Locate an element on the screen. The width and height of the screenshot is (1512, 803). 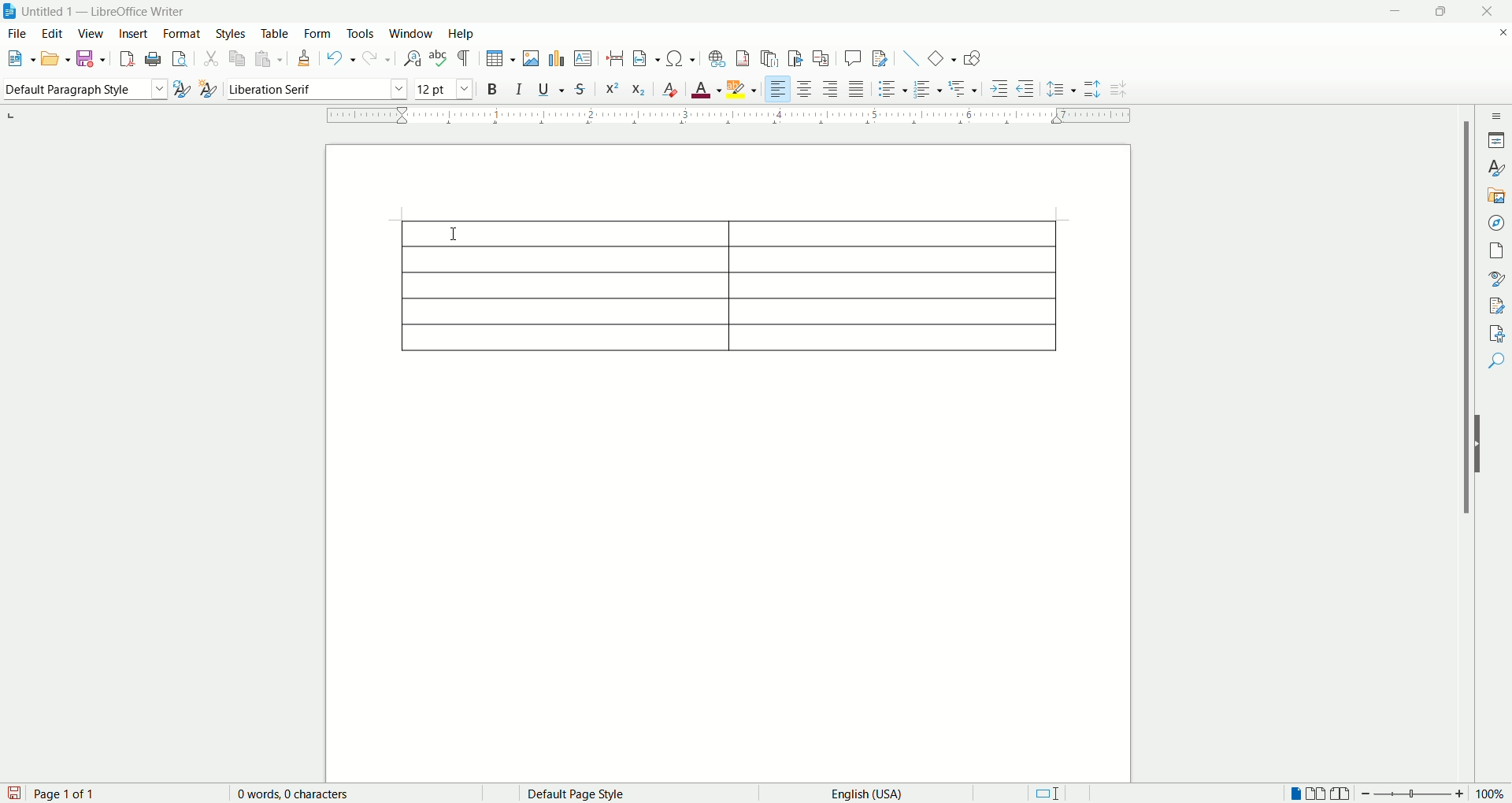
insert table is located at coordinates (501, 58).